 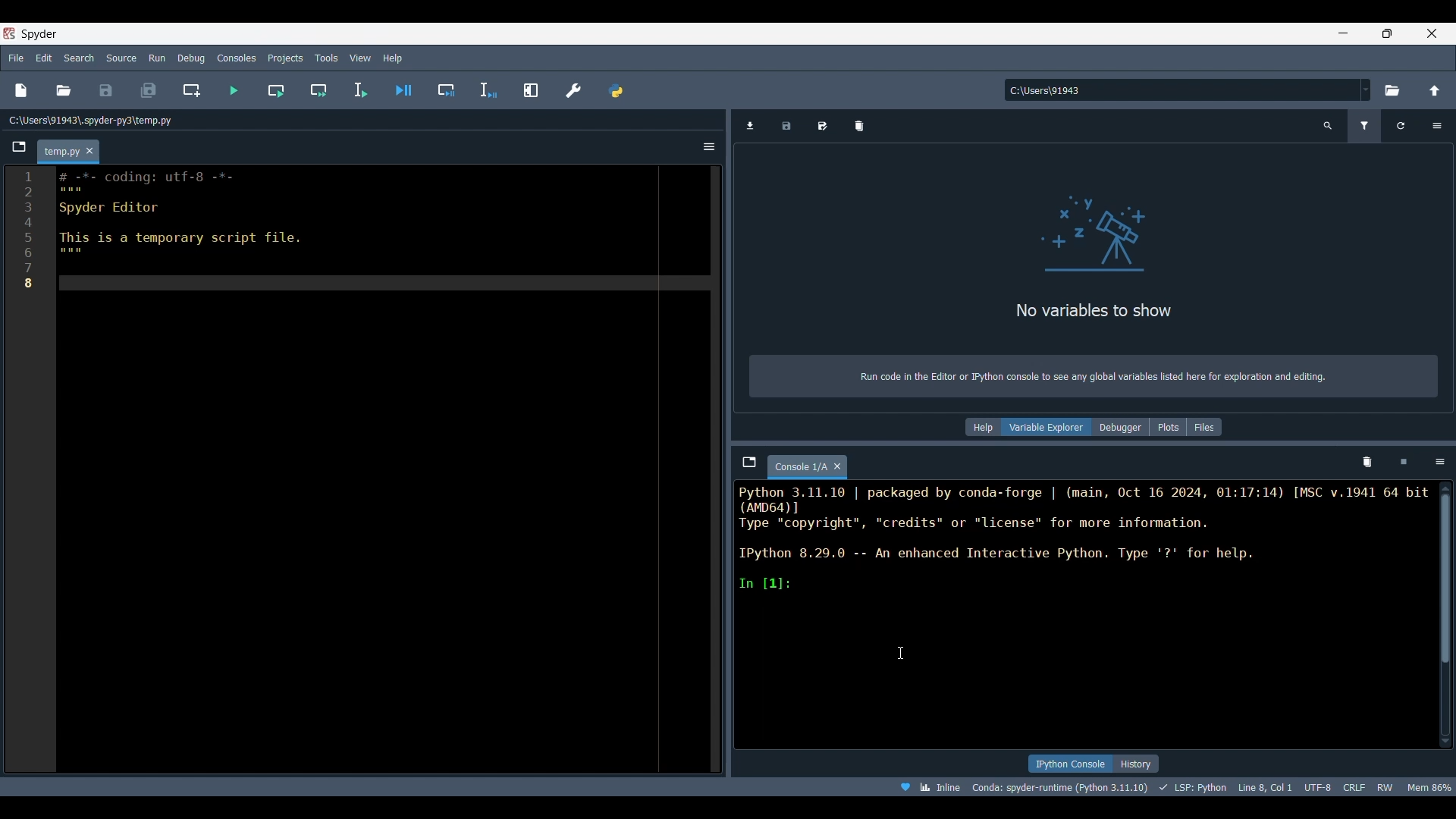 What do you see at coordinates (276, 90) in the screenshot?
I see `Run current cell` at bounding box center [276, 90].